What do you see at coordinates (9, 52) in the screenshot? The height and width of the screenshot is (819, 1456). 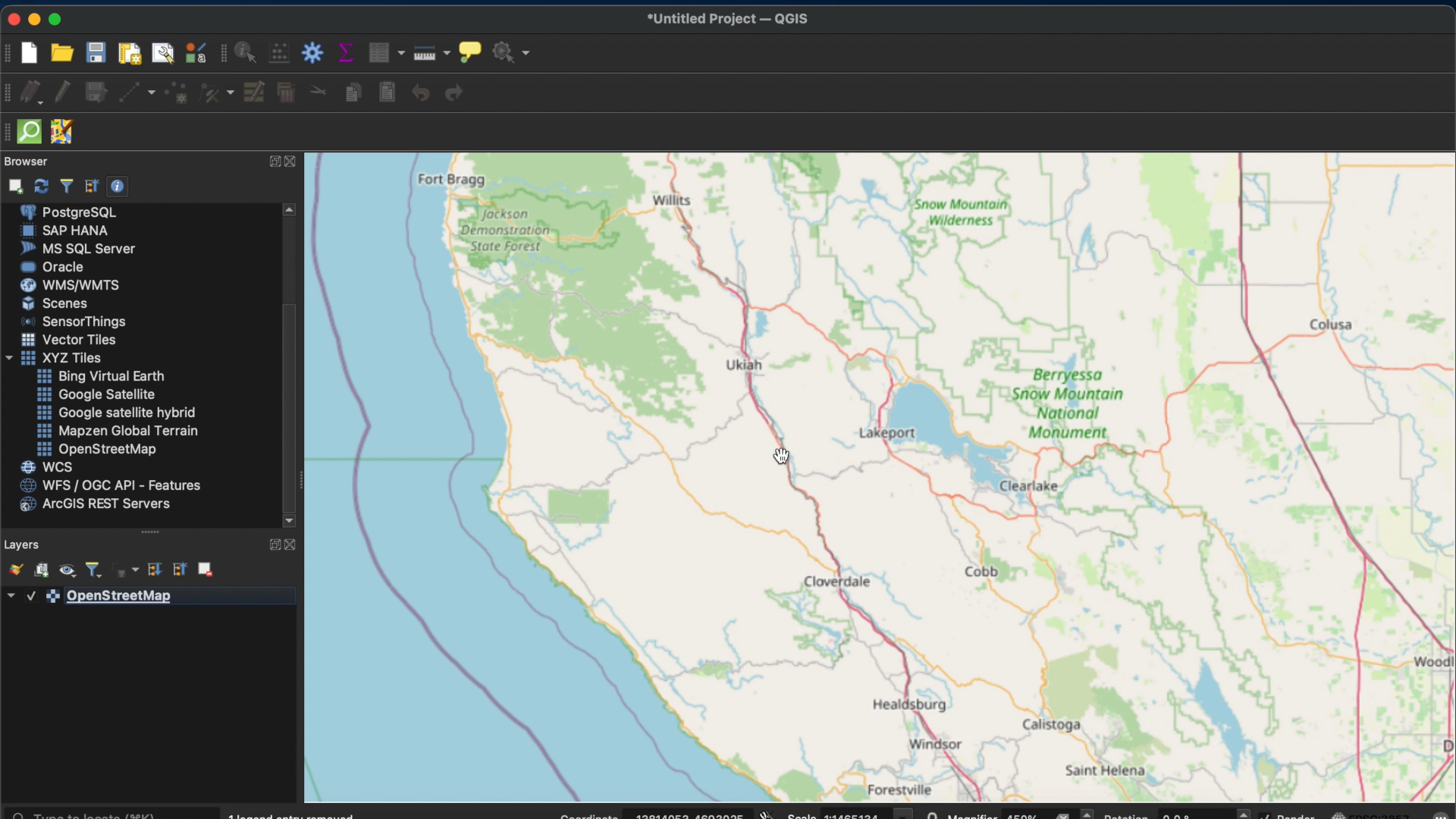 I see `project toolbar` at bounding box center [9, 52].